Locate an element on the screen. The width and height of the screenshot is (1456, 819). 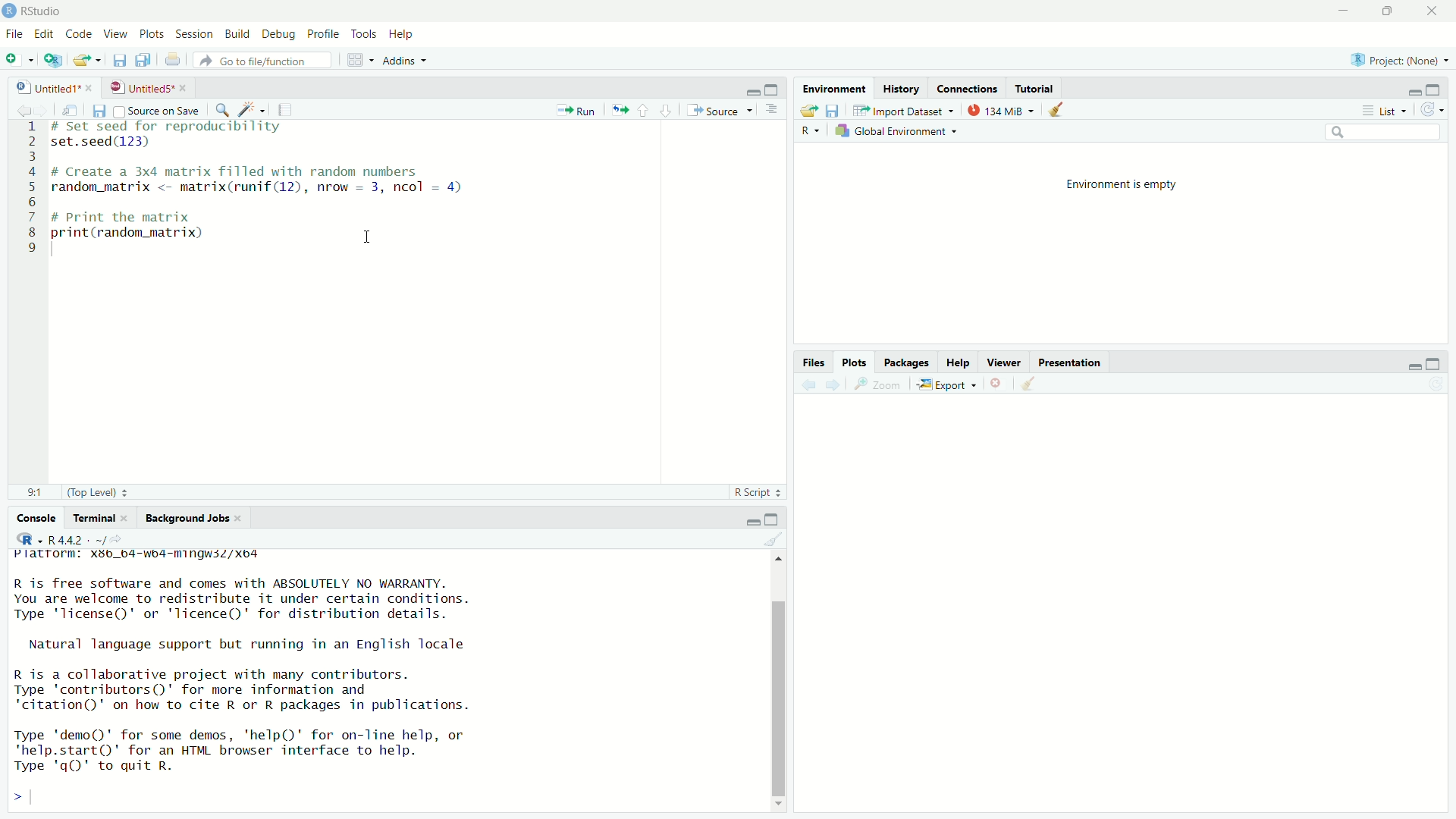
import dataset is located at coordinates (899, 111).